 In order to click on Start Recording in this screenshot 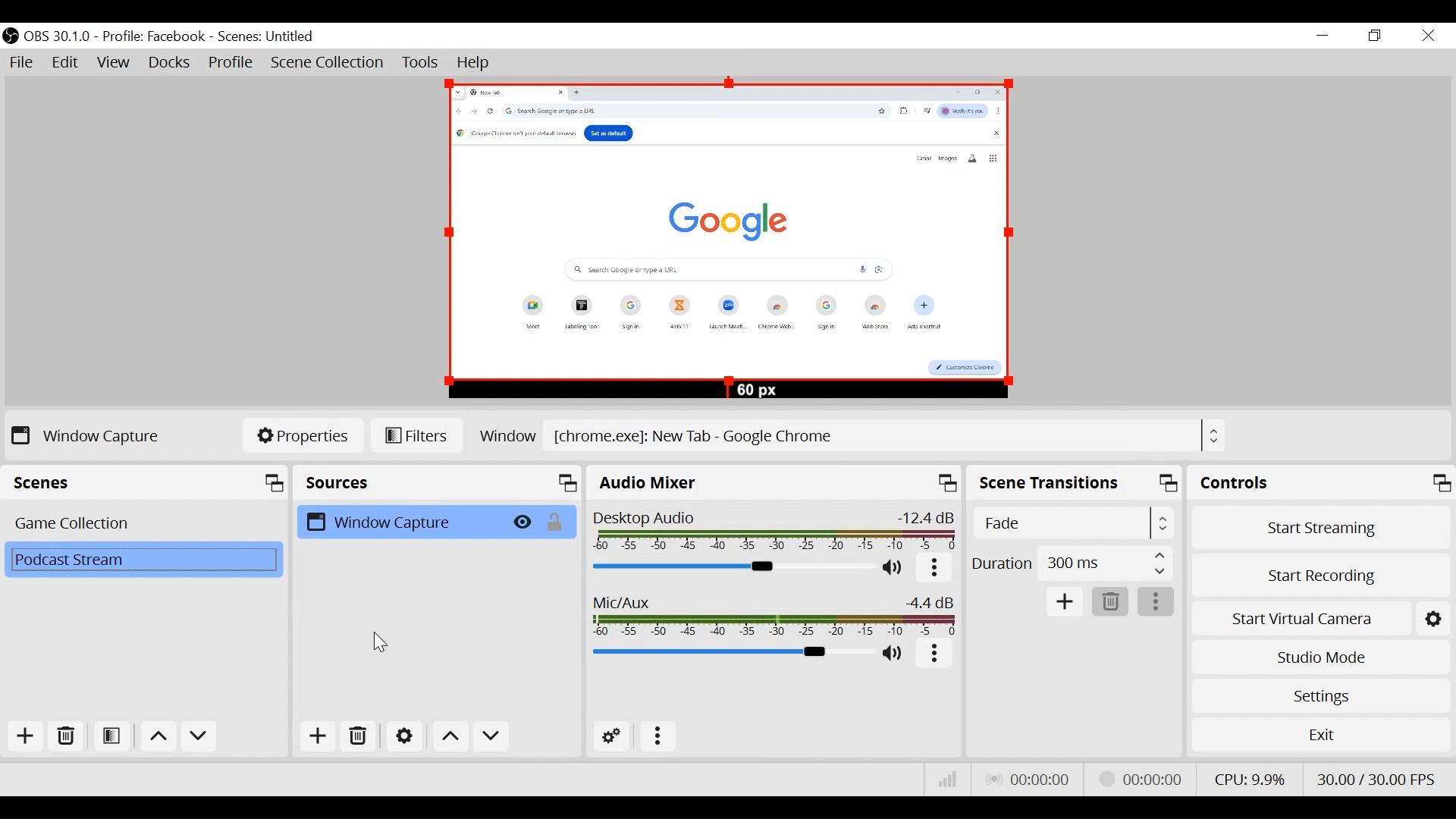, I will do `click(1318, 574)`.